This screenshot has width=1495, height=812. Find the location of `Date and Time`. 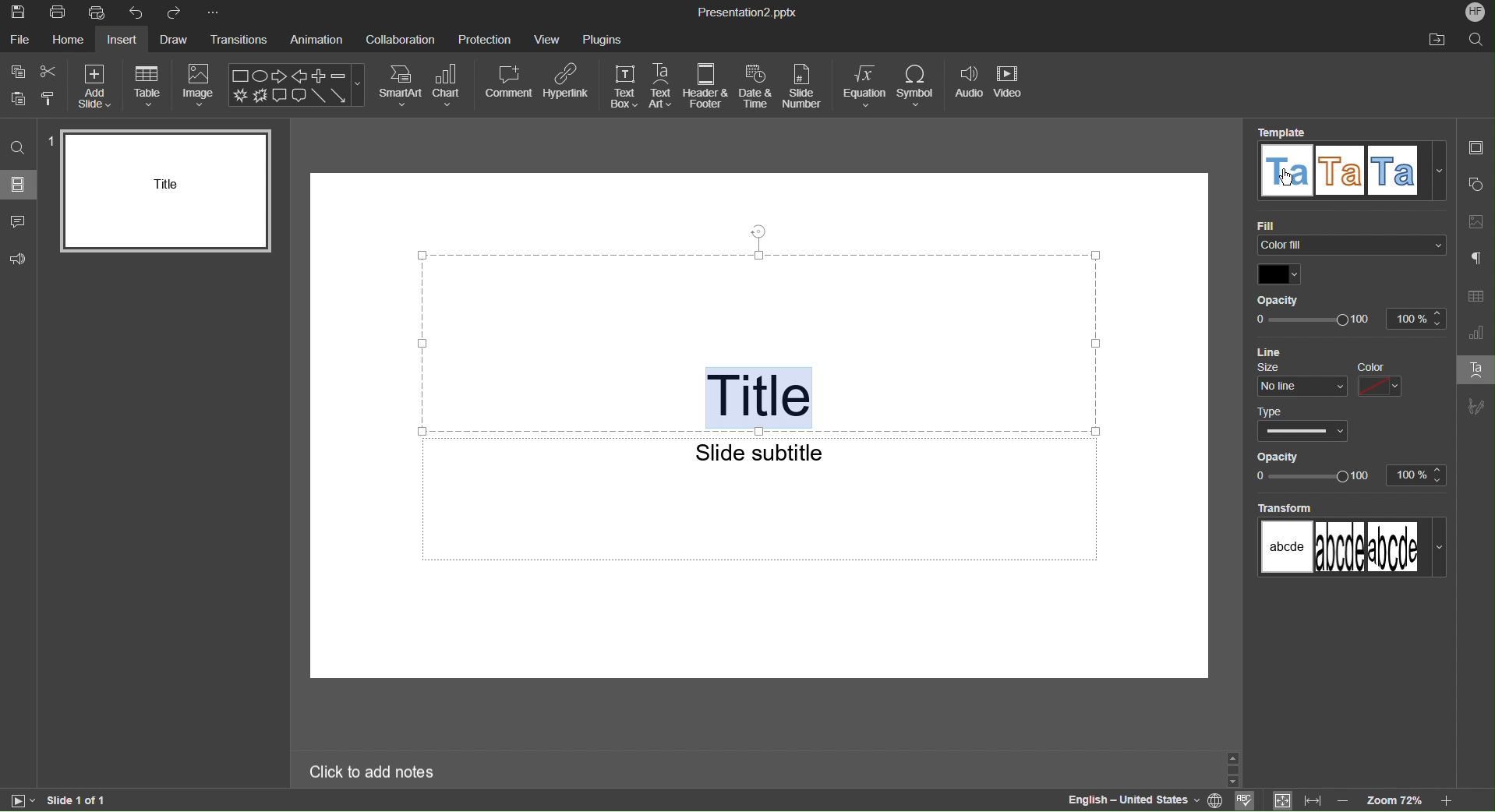

Date and Time is located at coordinates (758, 86).